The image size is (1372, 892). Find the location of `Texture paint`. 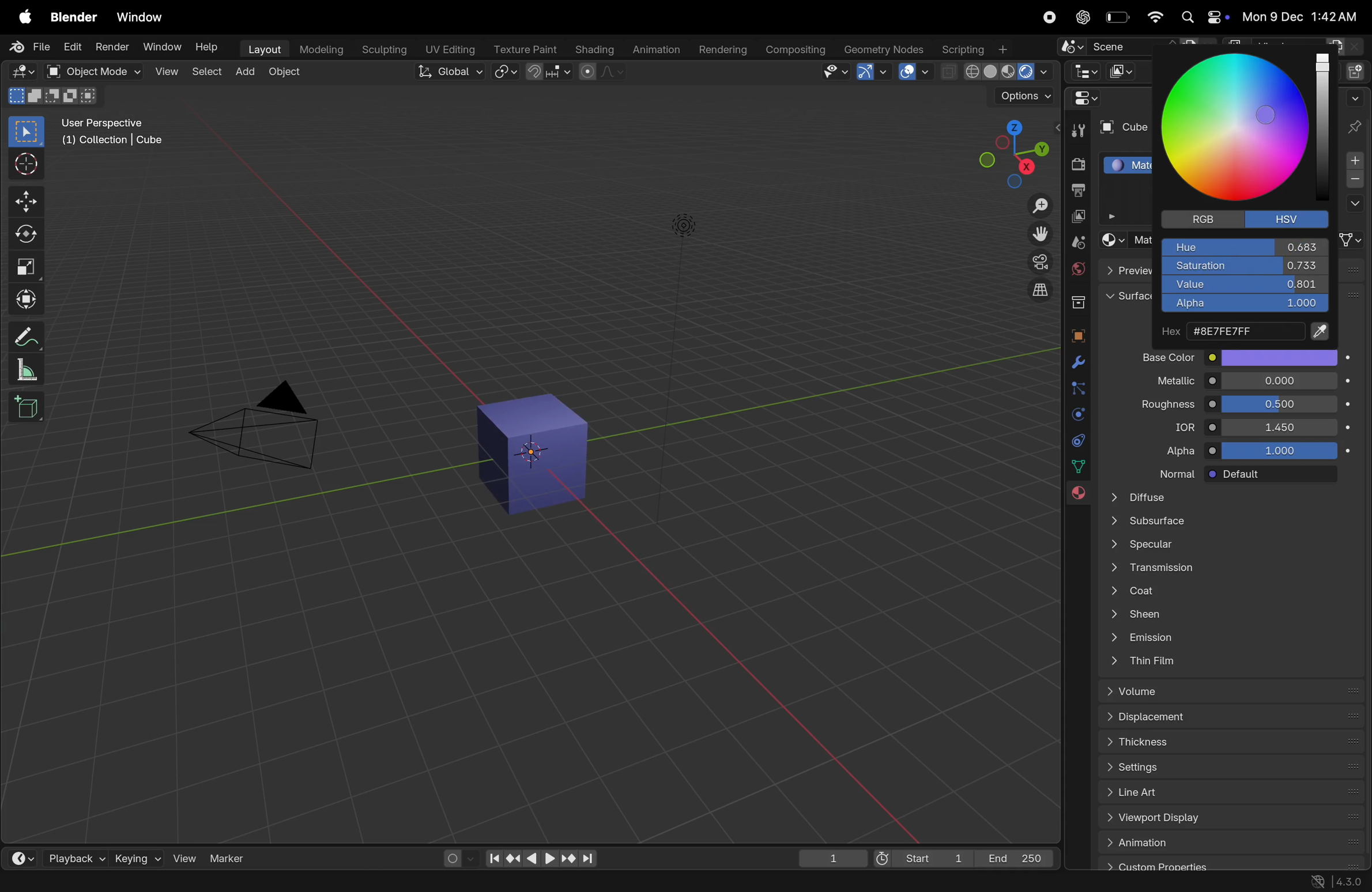

Texture paint is located at coordinates (527, 49).